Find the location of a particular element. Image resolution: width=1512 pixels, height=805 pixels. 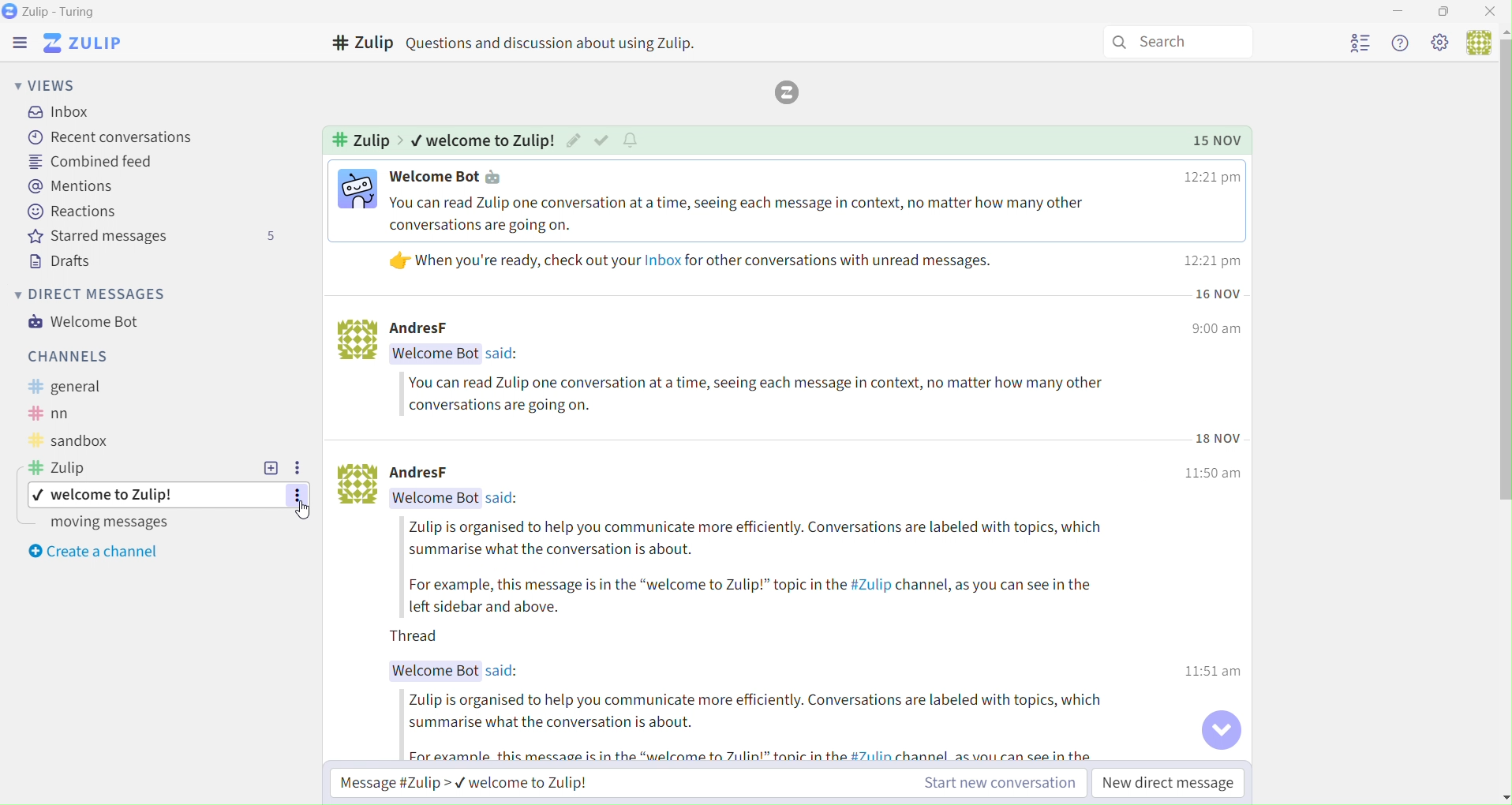

Direct Messages is located at coordinates (87, 294).